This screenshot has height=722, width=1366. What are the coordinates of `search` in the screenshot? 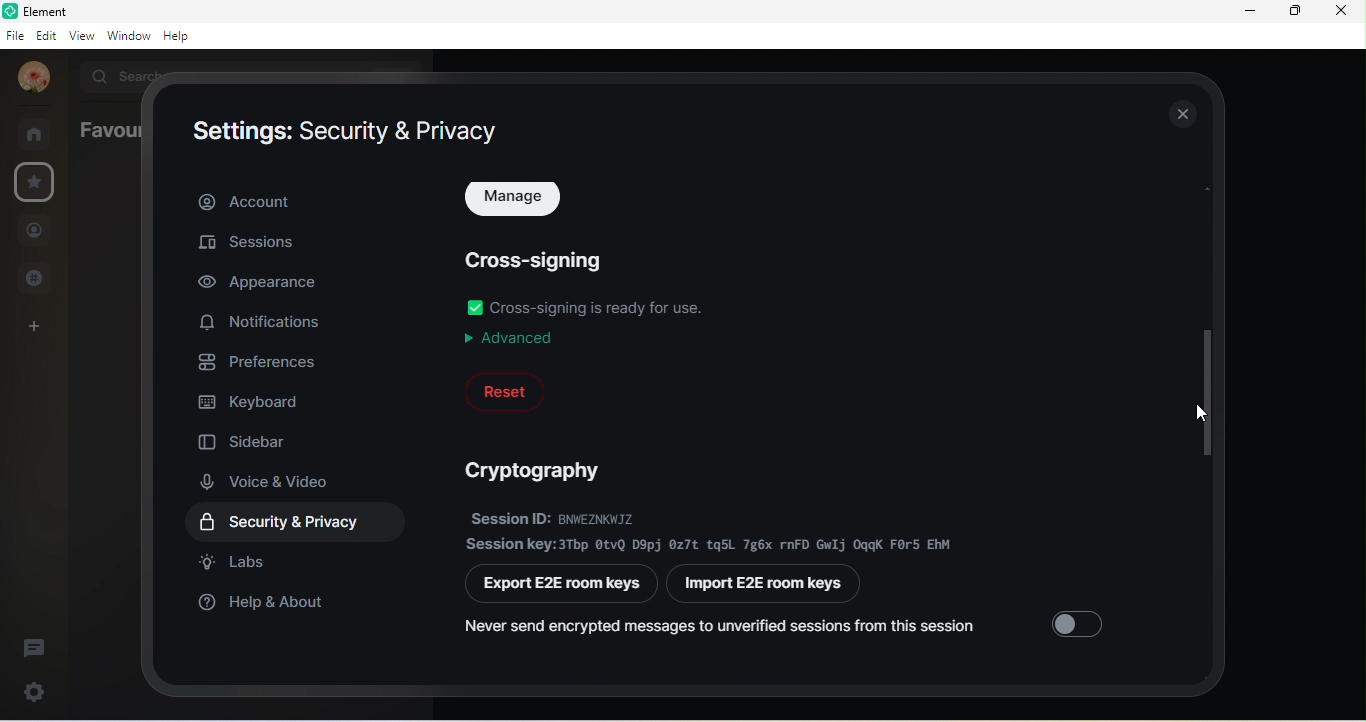 It's located at (129, 75).